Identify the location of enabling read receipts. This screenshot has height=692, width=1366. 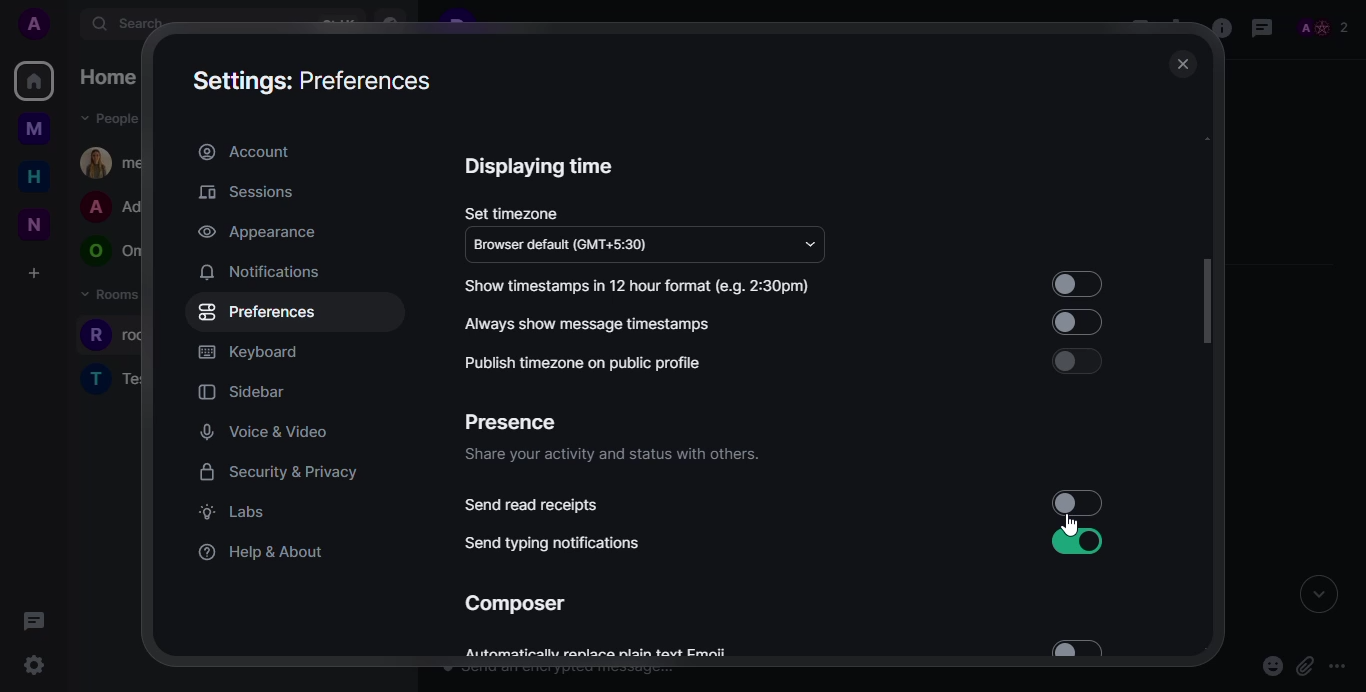
(1087, 503).